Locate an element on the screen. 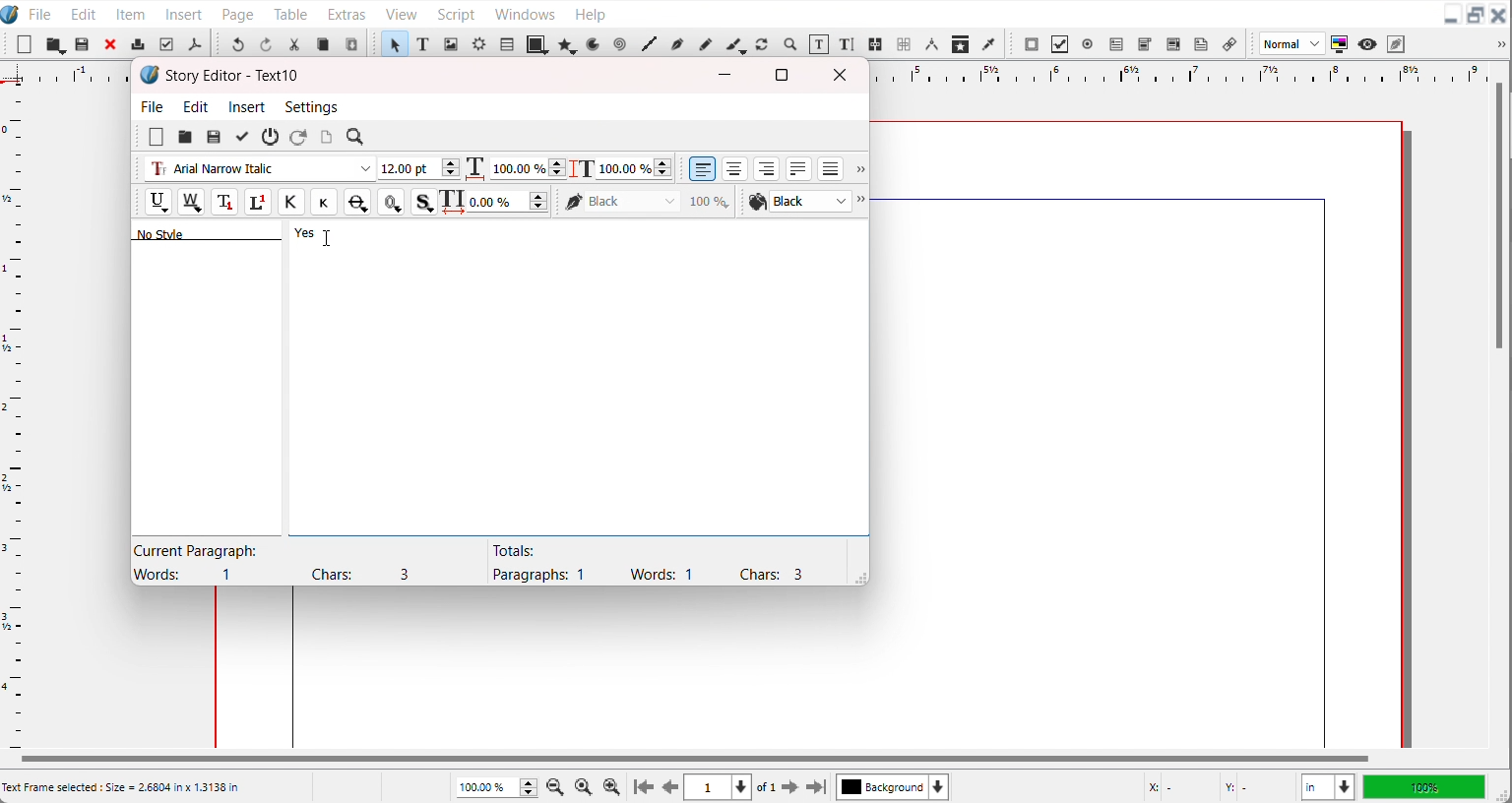 The height and width of the screenshot is (803, 1512). Shape is located at coordinates (537, 43).